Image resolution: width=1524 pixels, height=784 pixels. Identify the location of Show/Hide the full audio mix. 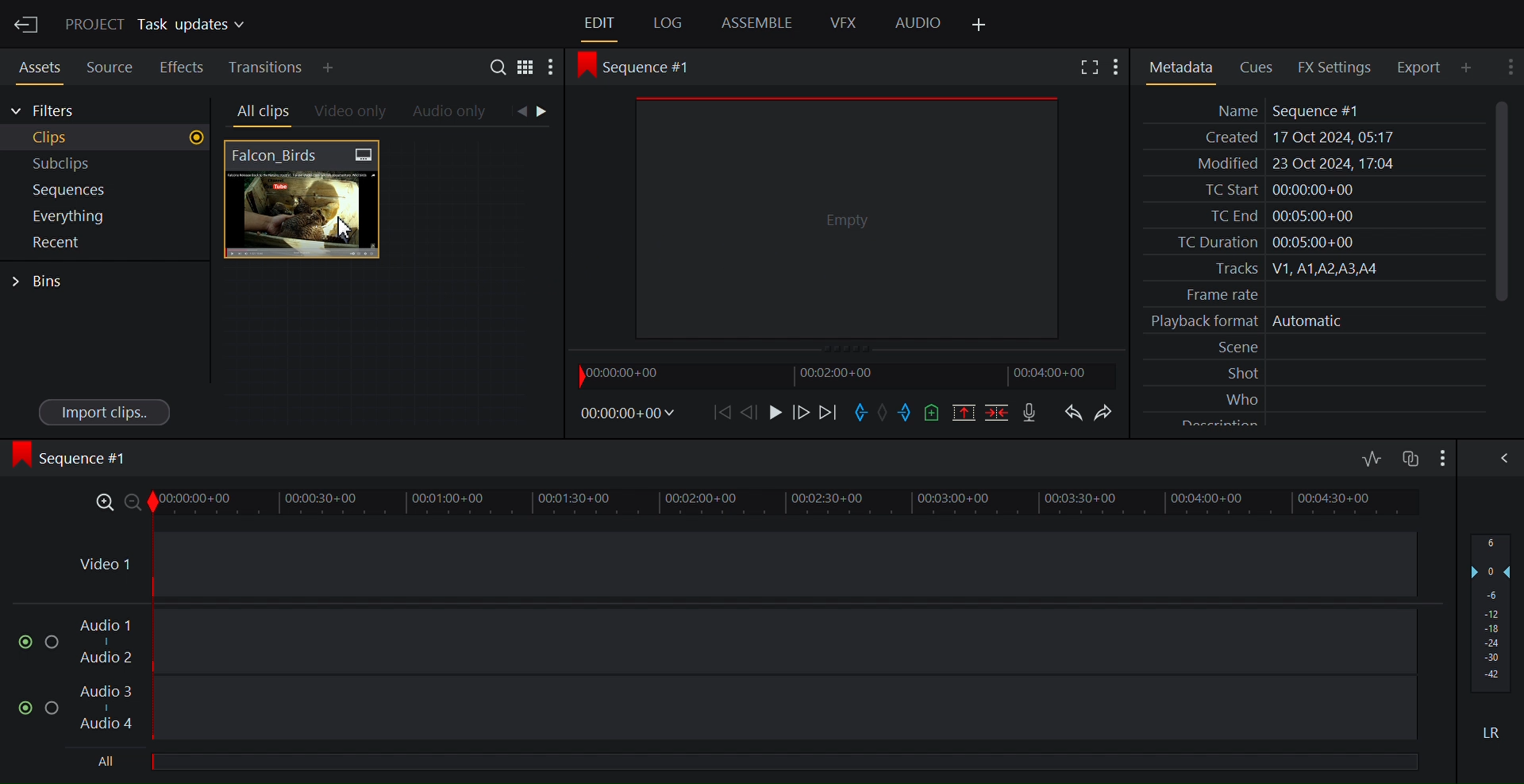
(1501, 458).